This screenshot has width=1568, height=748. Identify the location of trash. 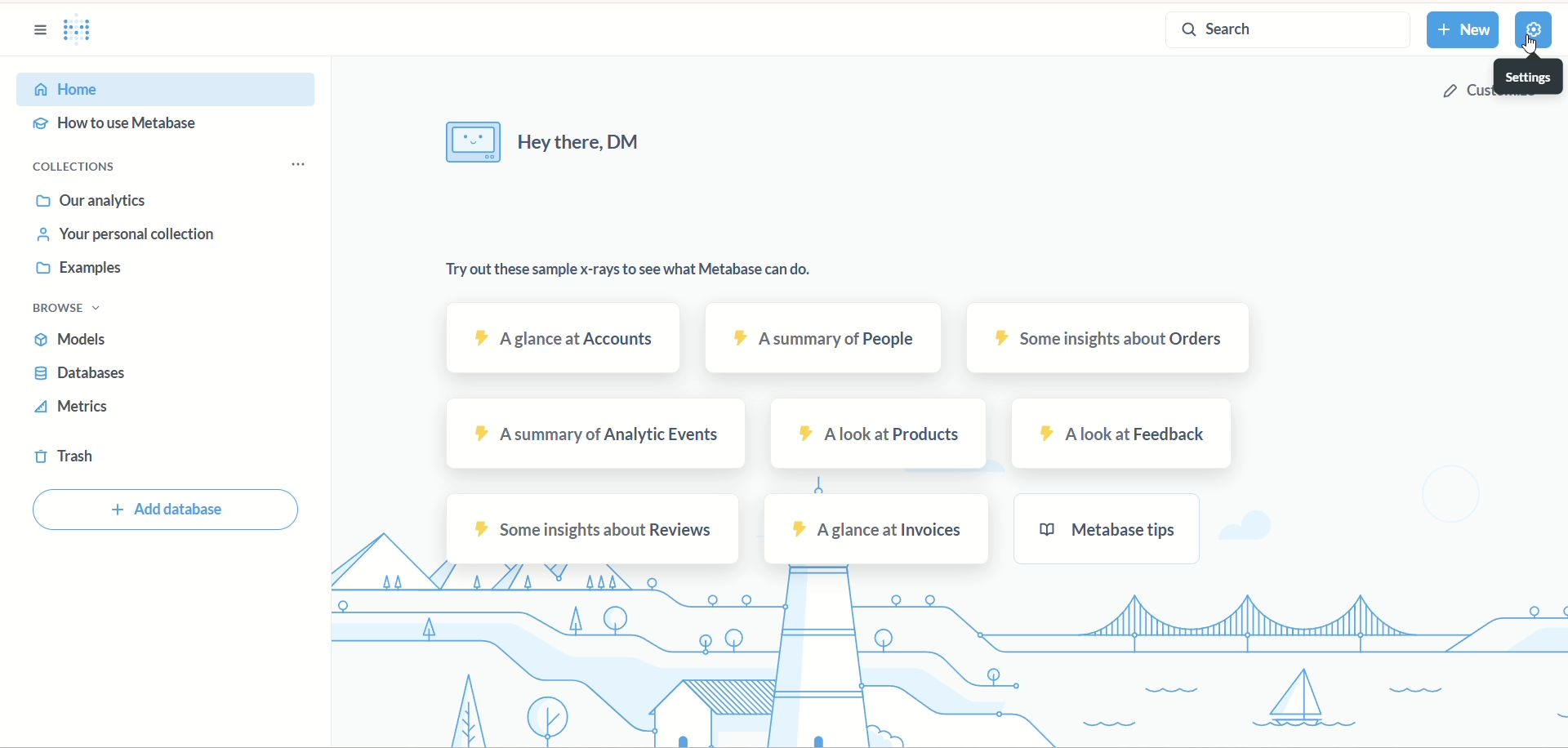
(65, 460).